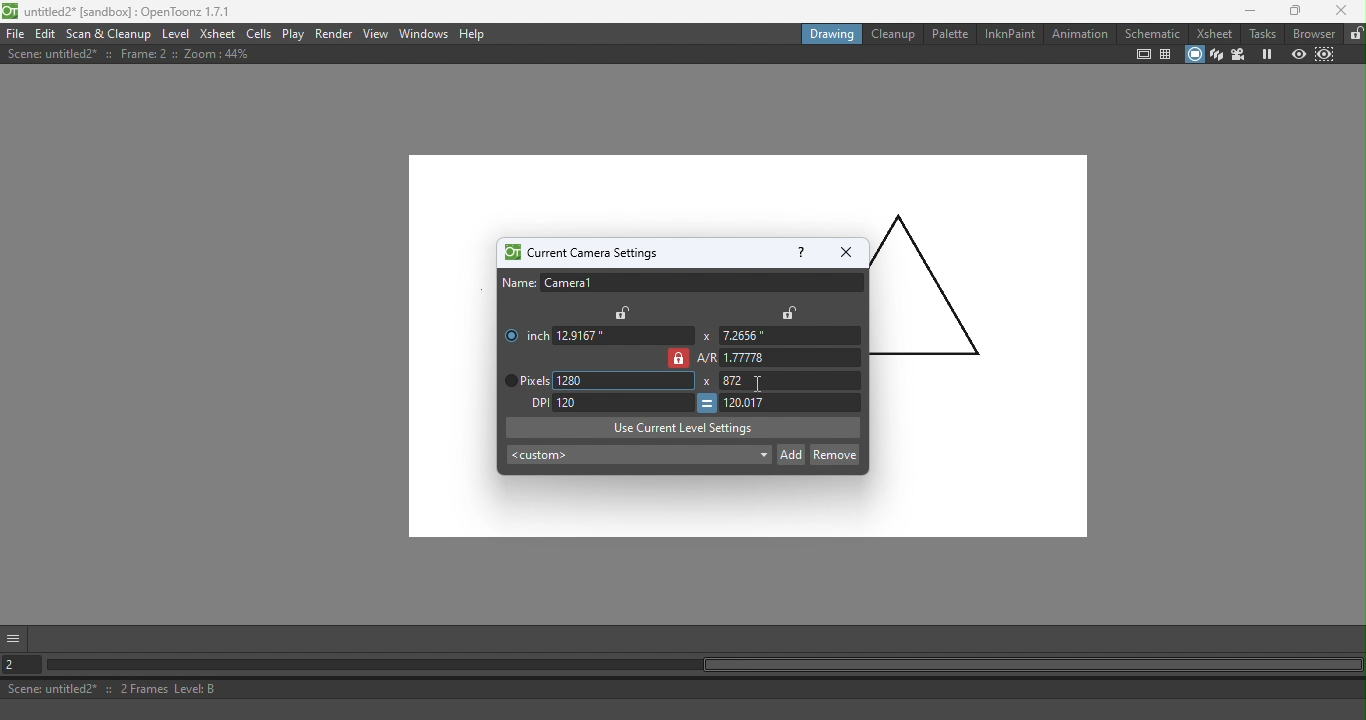 Image resolution: width=1366 pixels, height=720 pixels. Describe the element at coordinates (799, 251) in the screenshot. I see `Help` at that location.